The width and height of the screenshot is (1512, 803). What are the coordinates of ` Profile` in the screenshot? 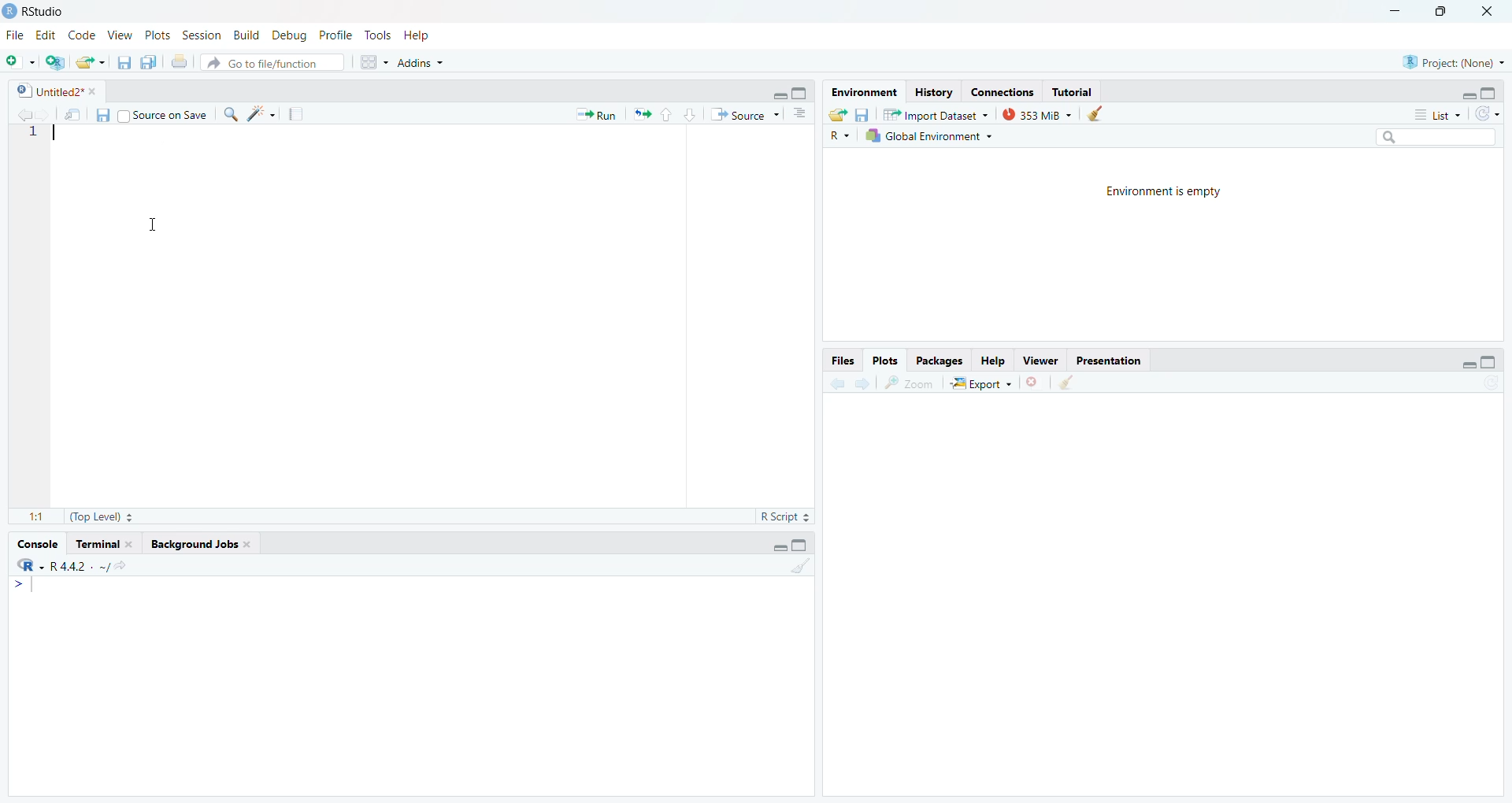 It's located at (335, 35).